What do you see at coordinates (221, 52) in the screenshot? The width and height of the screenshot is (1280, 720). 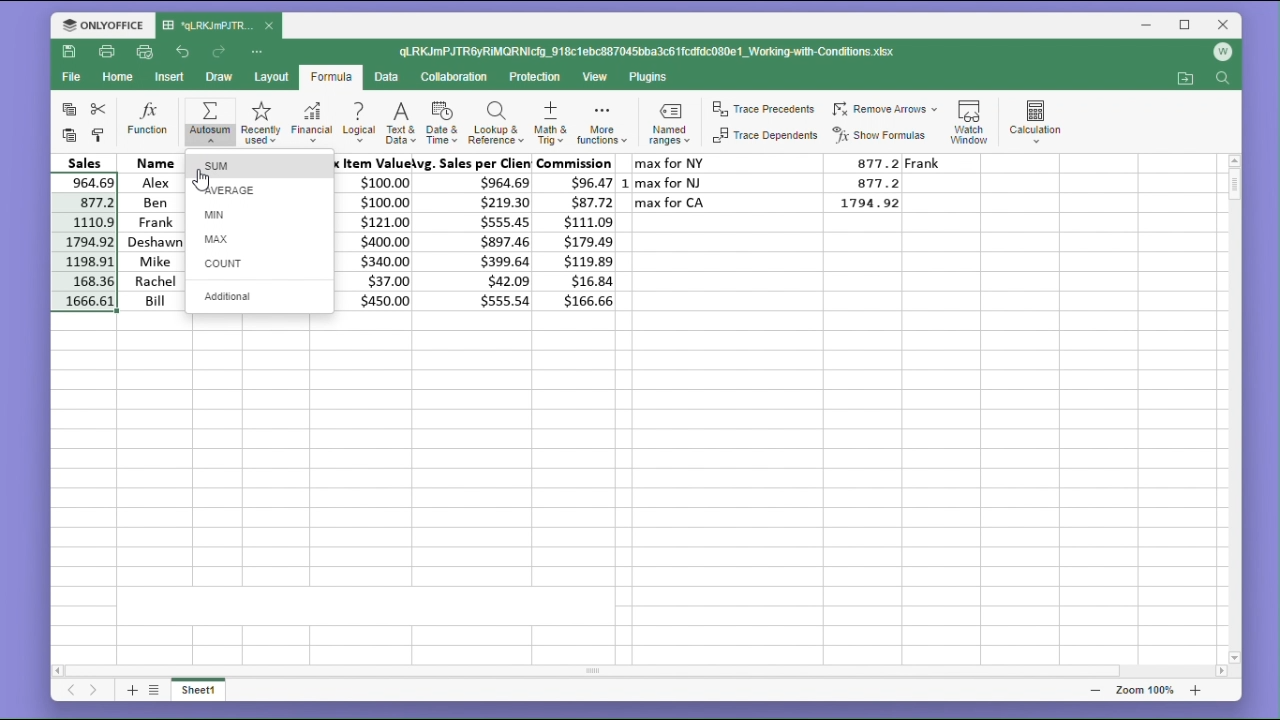 I see `redo` at bounding box center [221, 52].